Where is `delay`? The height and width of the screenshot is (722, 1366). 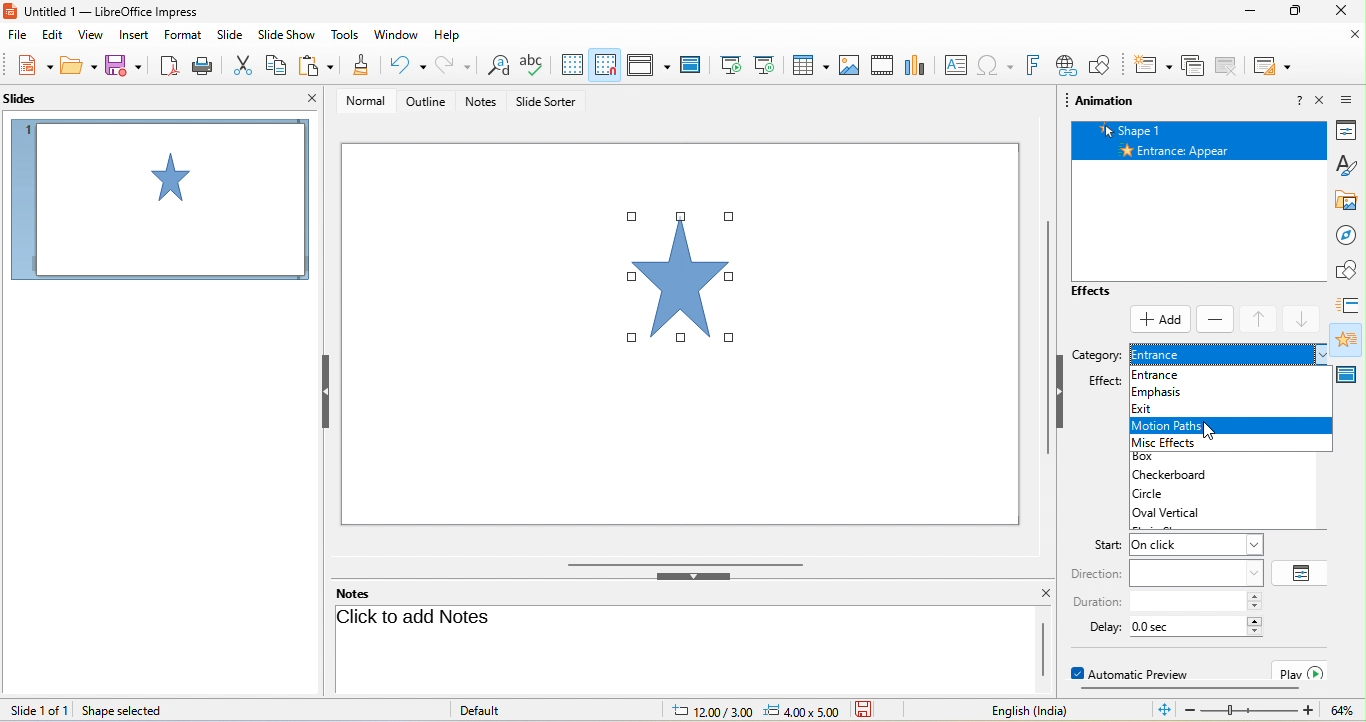 delay is located at coordinates (1098, 626).